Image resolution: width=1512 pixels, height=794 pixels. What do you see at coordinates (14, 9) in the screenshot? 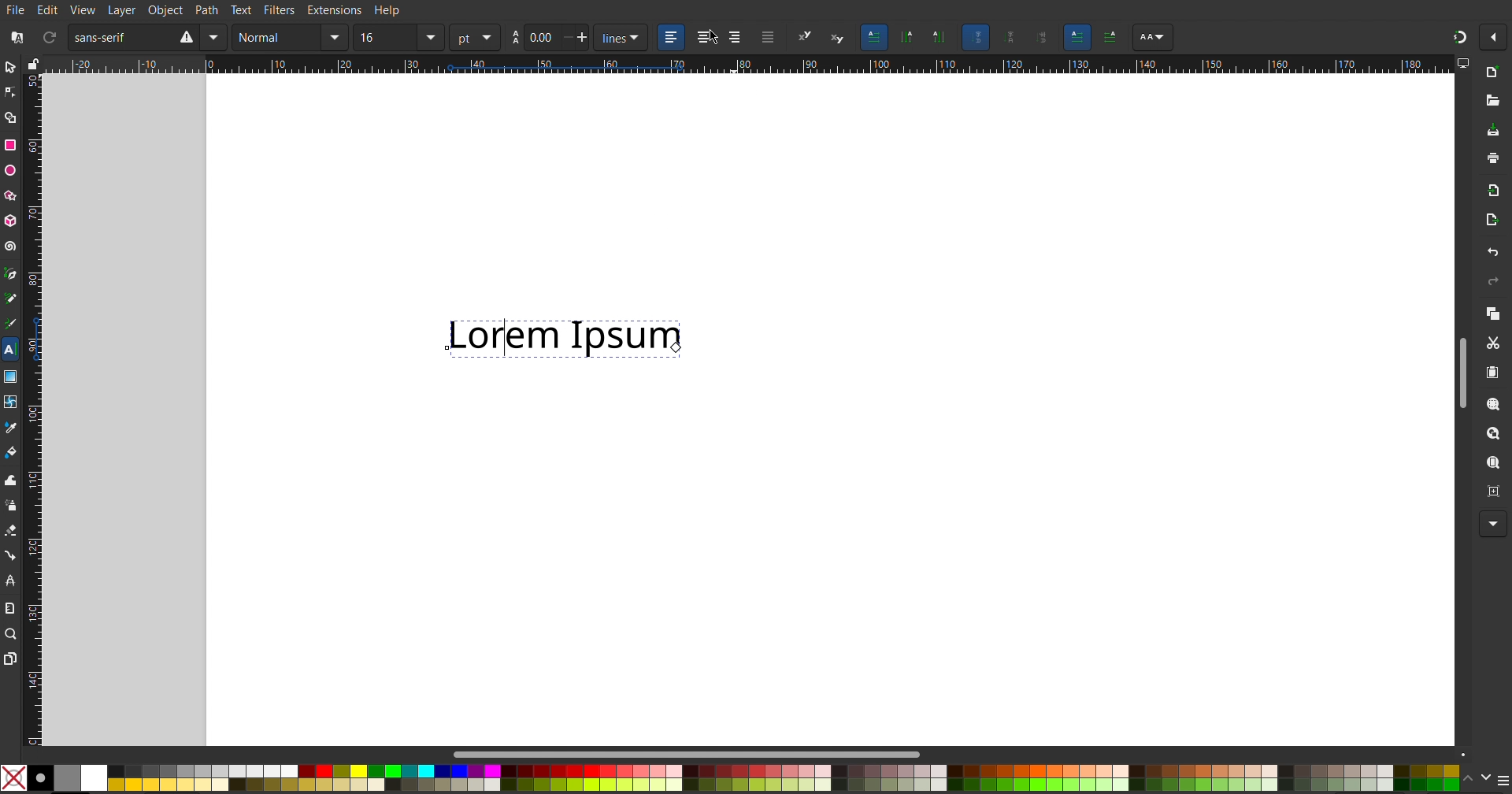
I see `FIle` at bounding box center [14, 9].